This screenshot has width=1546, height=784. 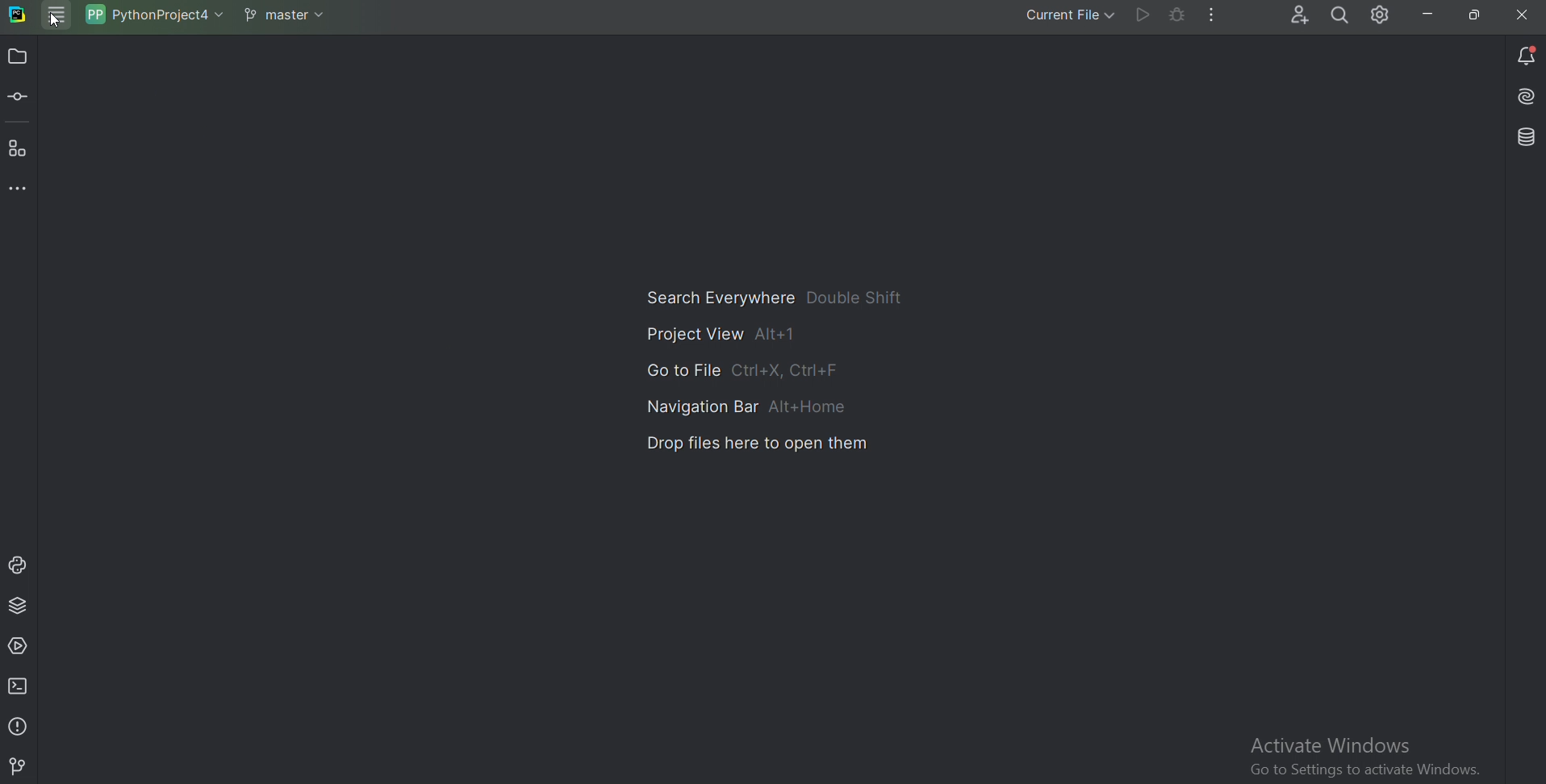 What do you see at coordinates (20, 99) in the screenshot?
I see `Commit` at bounding box center [20, 99].